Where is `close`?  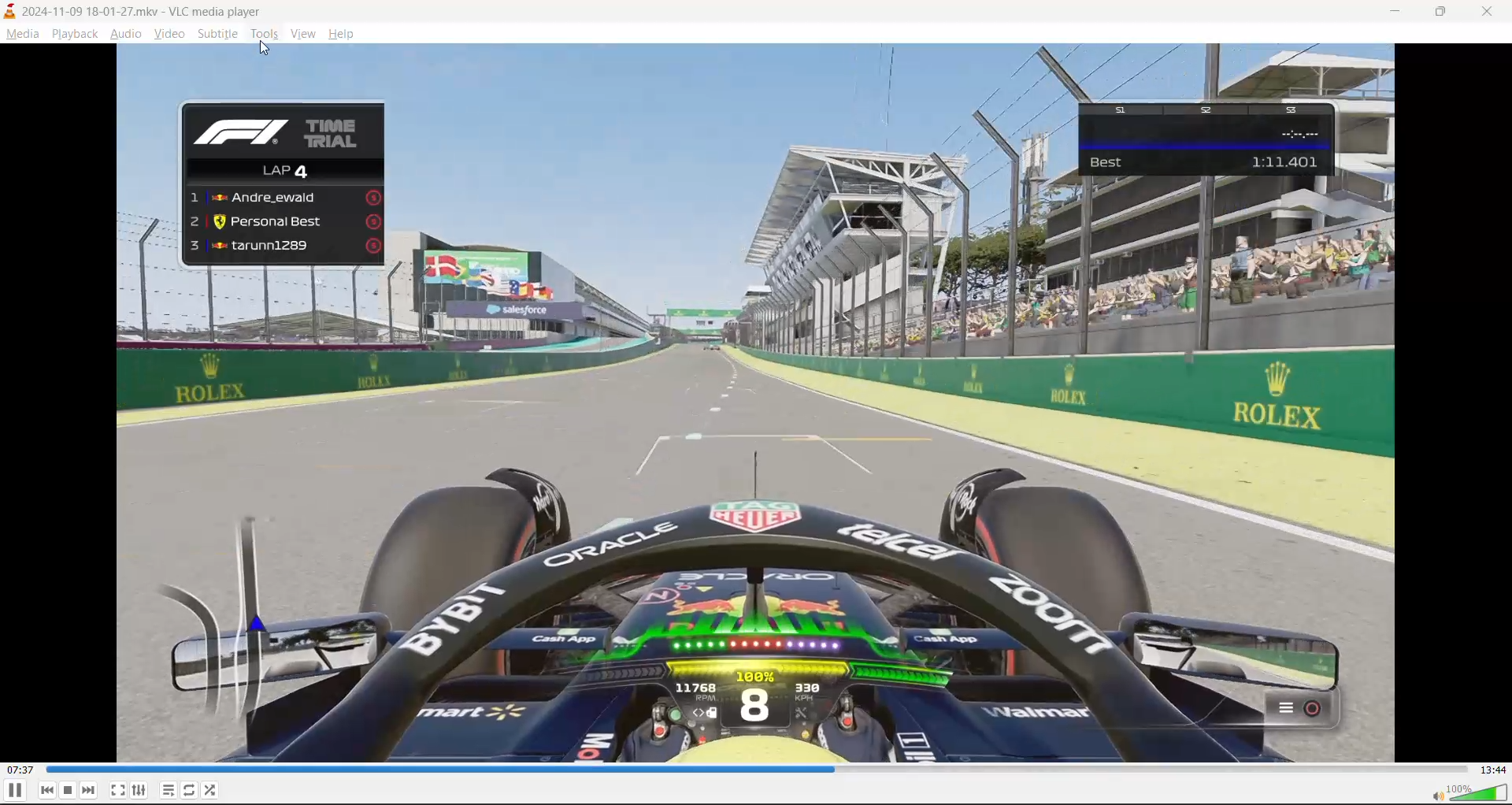
close is located at coordinates (1492, 9).